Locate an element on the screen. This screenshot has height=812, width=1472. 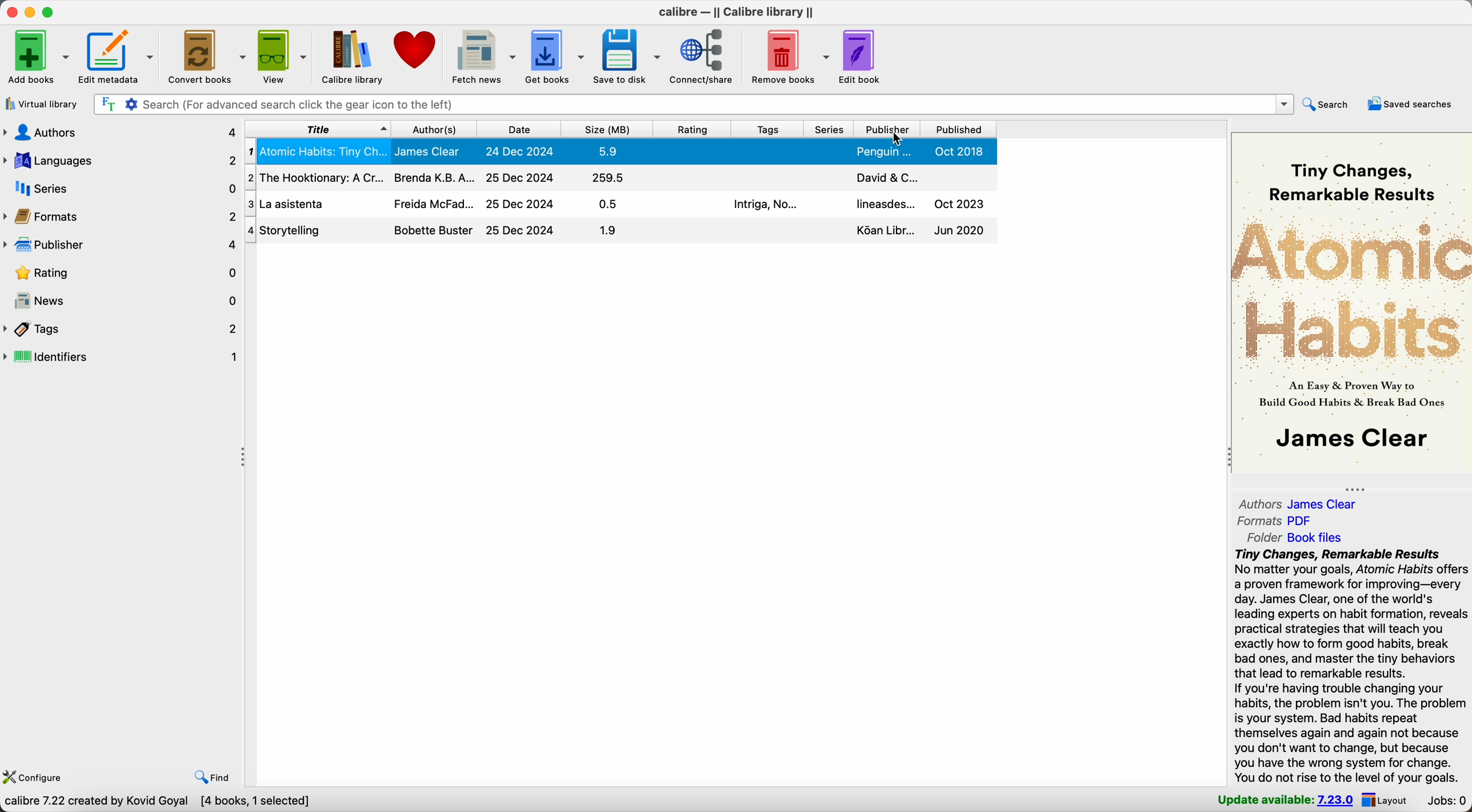
bobette buster is located at coordinates (434, 229).